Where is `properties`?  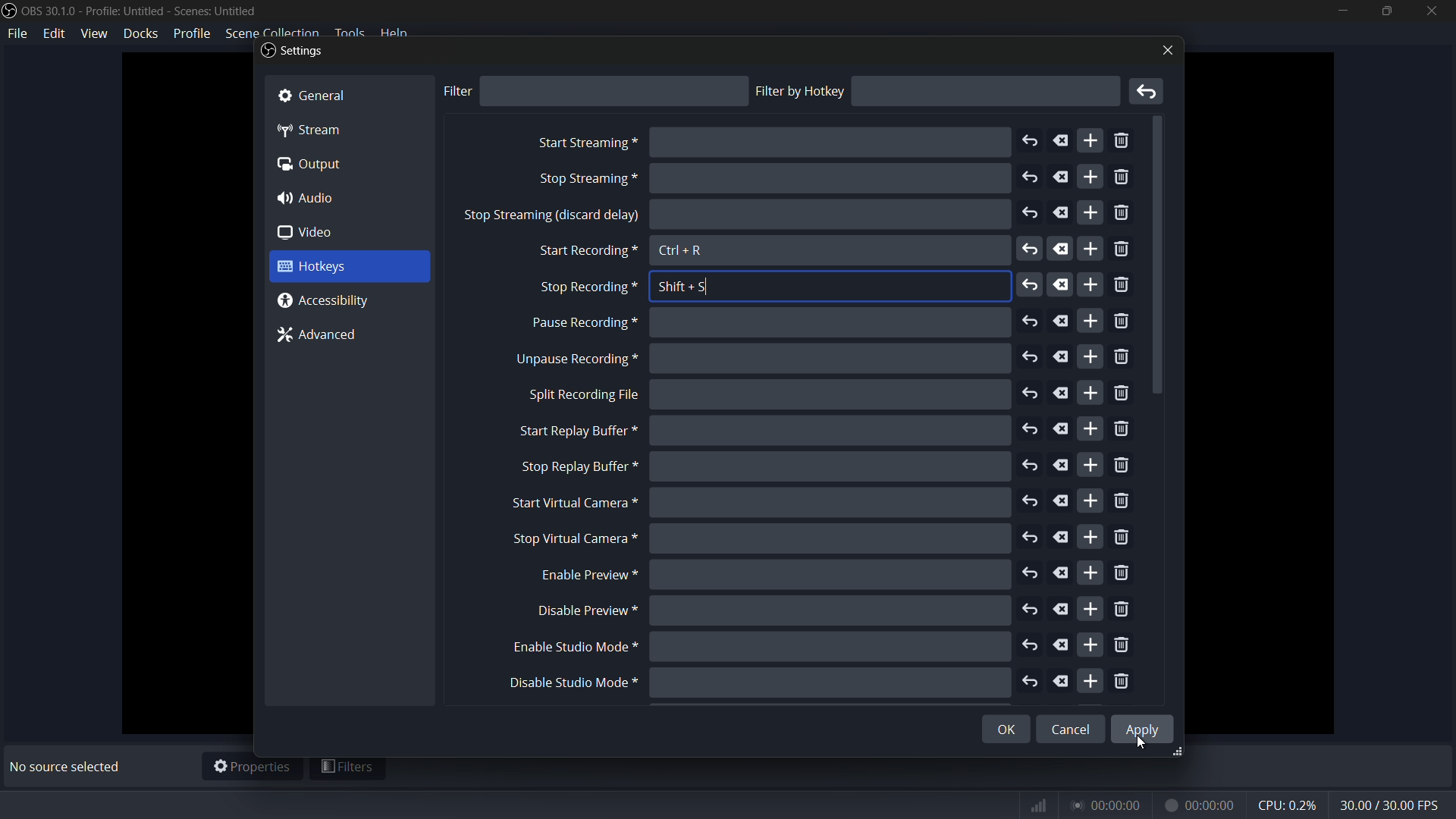
properties is located at coordinates (252, 767).